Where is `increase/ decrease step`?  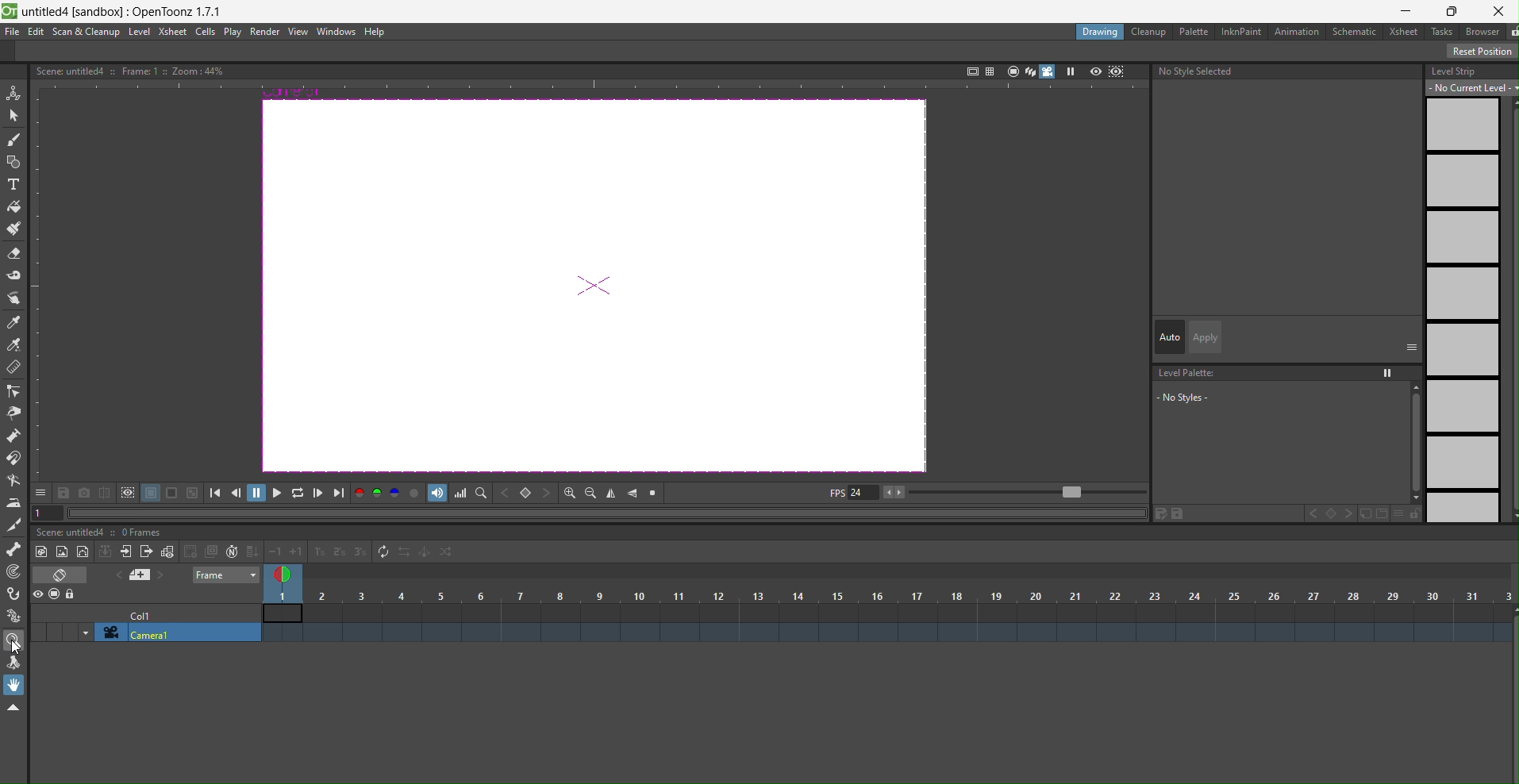
increase/ decrease step is located at coordinates (317, 553).